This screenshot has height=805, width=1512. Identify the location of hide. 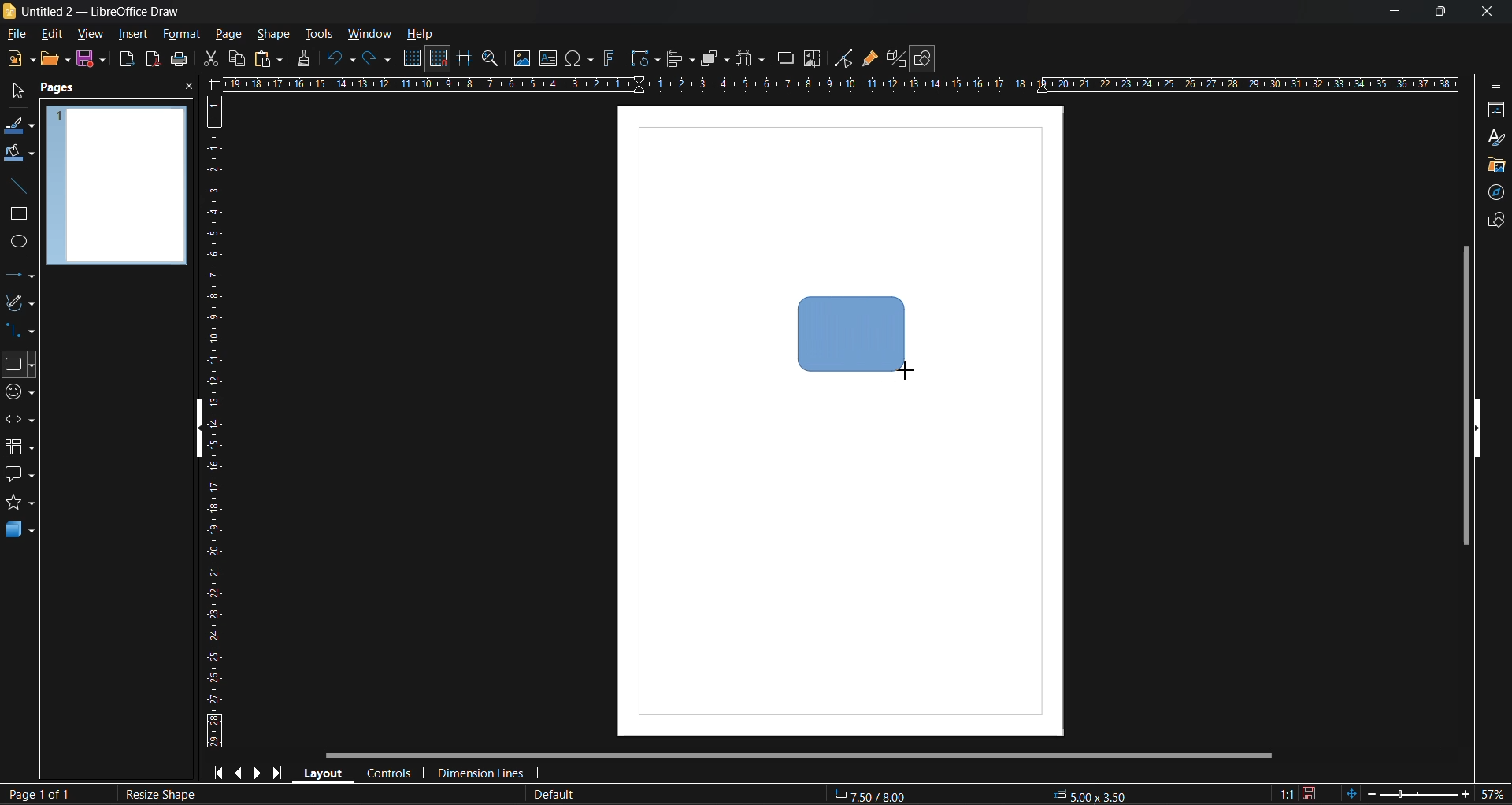
(1477, 429).